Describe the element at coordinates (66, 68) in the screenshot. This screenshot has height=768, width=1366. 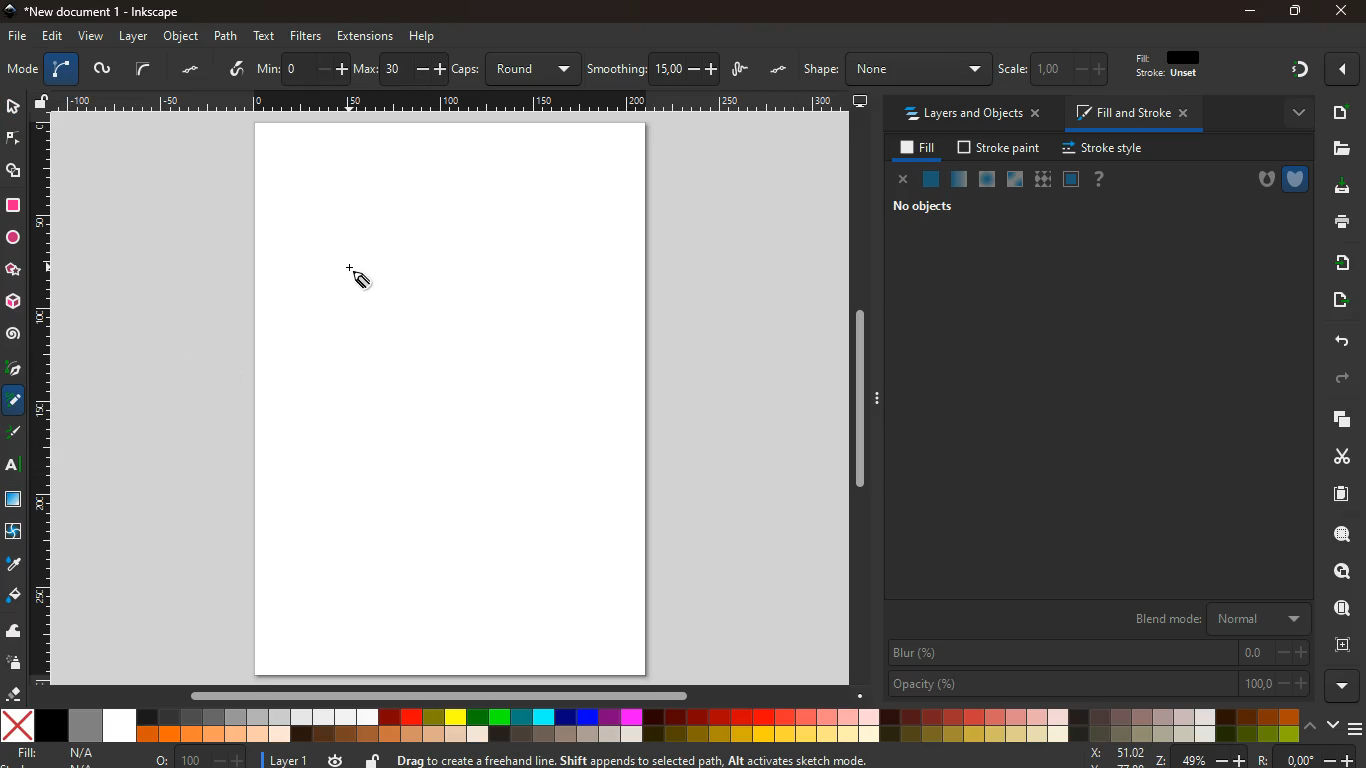
I see `layers` at that location.